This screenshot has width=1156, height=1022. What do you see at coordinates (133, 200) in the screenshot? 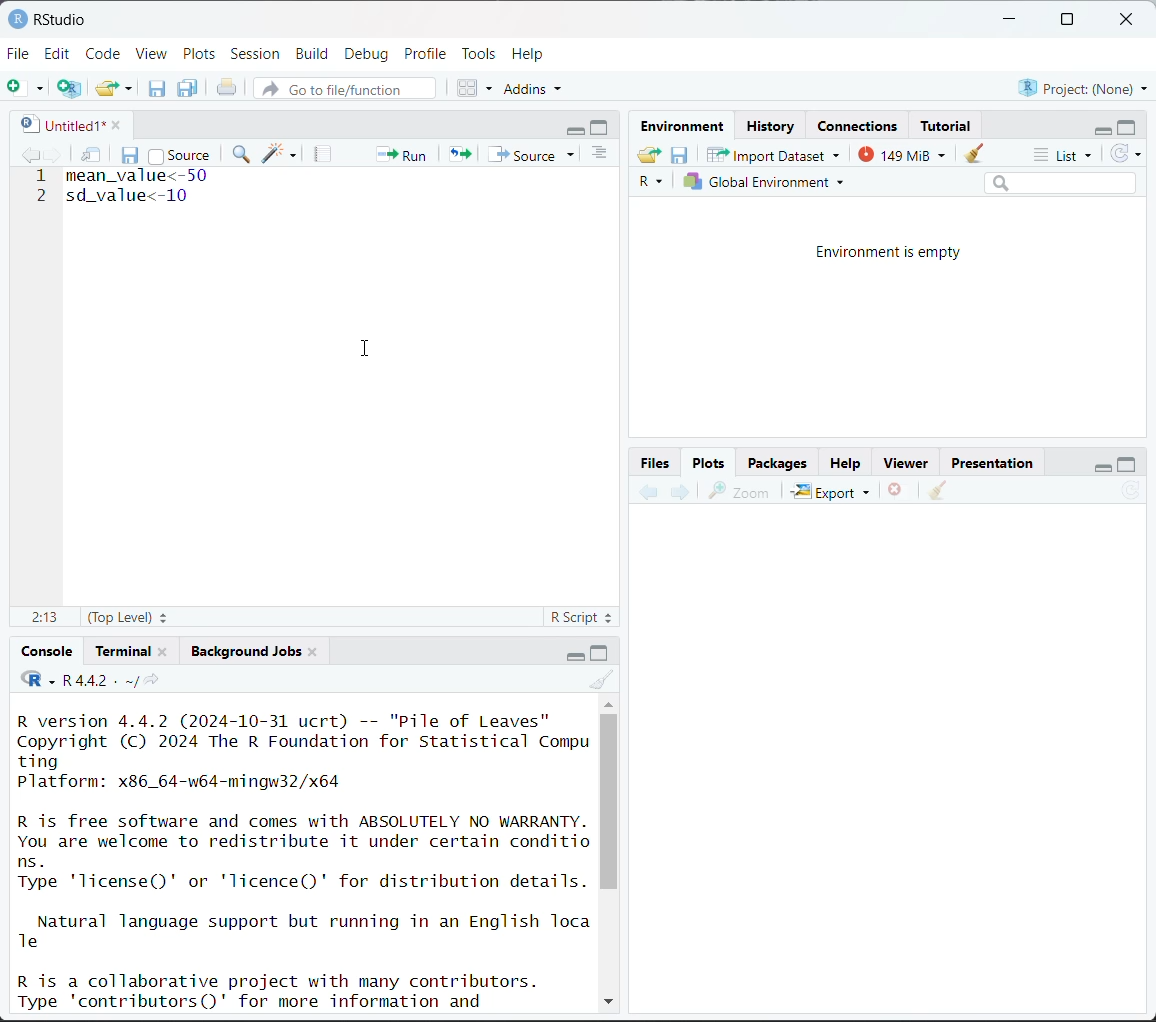
I see `sd_value<-10` at bounding box center [133, 200].